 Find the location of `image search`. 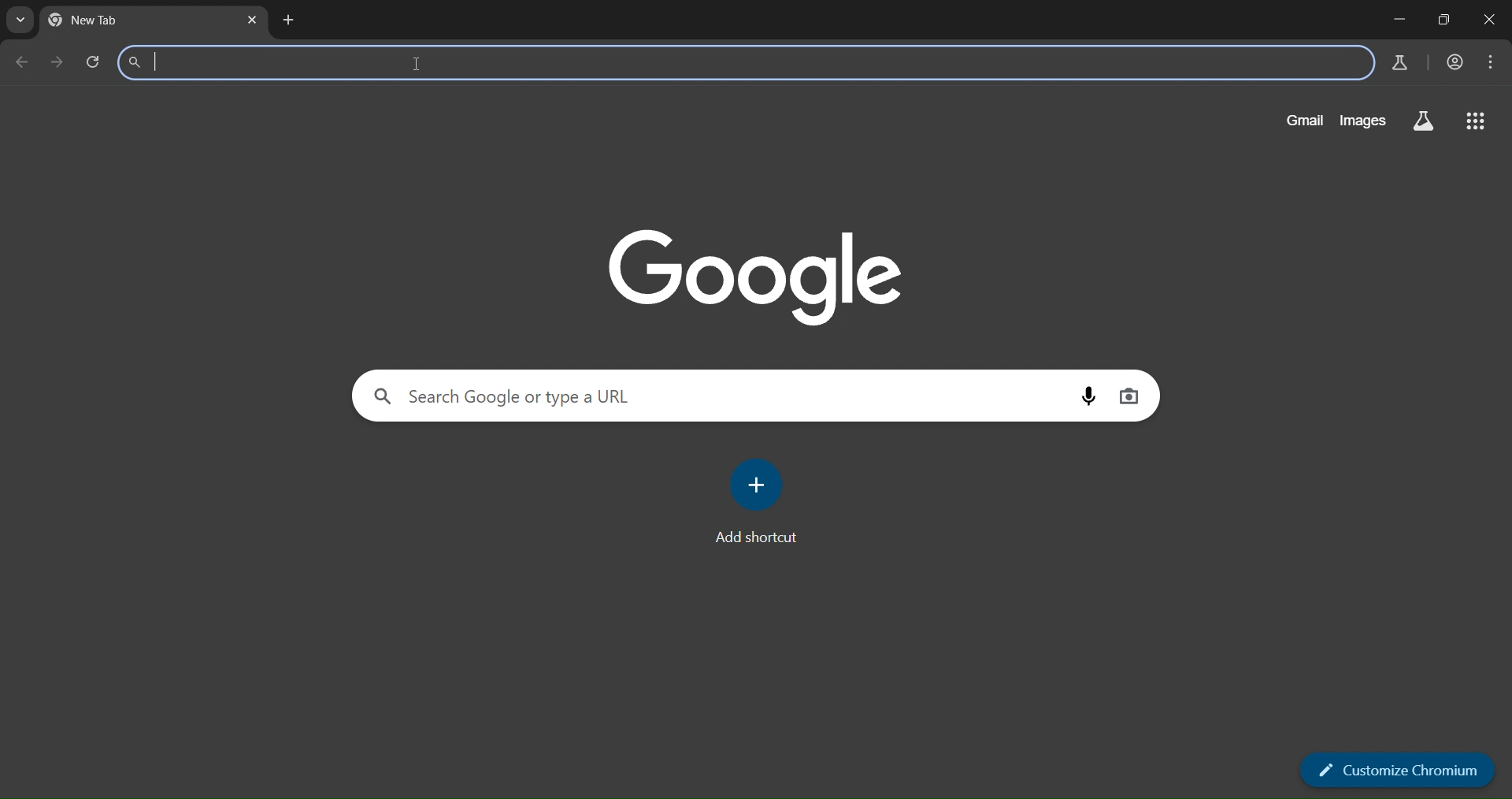

image search is located at coordinates (1131, 398).